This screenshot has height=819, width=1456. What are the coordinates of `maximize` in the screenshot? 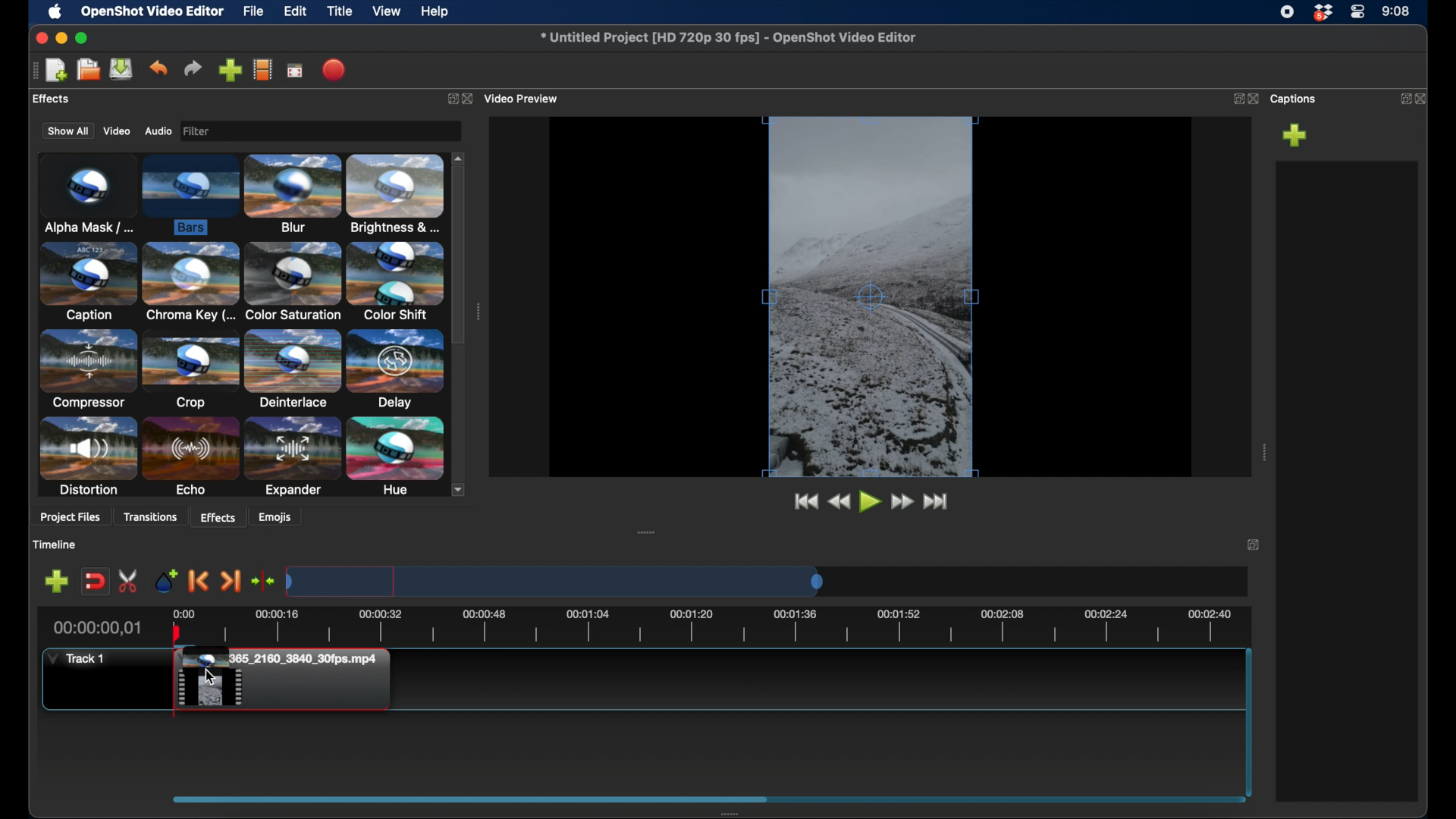 It's located at (83, 38).